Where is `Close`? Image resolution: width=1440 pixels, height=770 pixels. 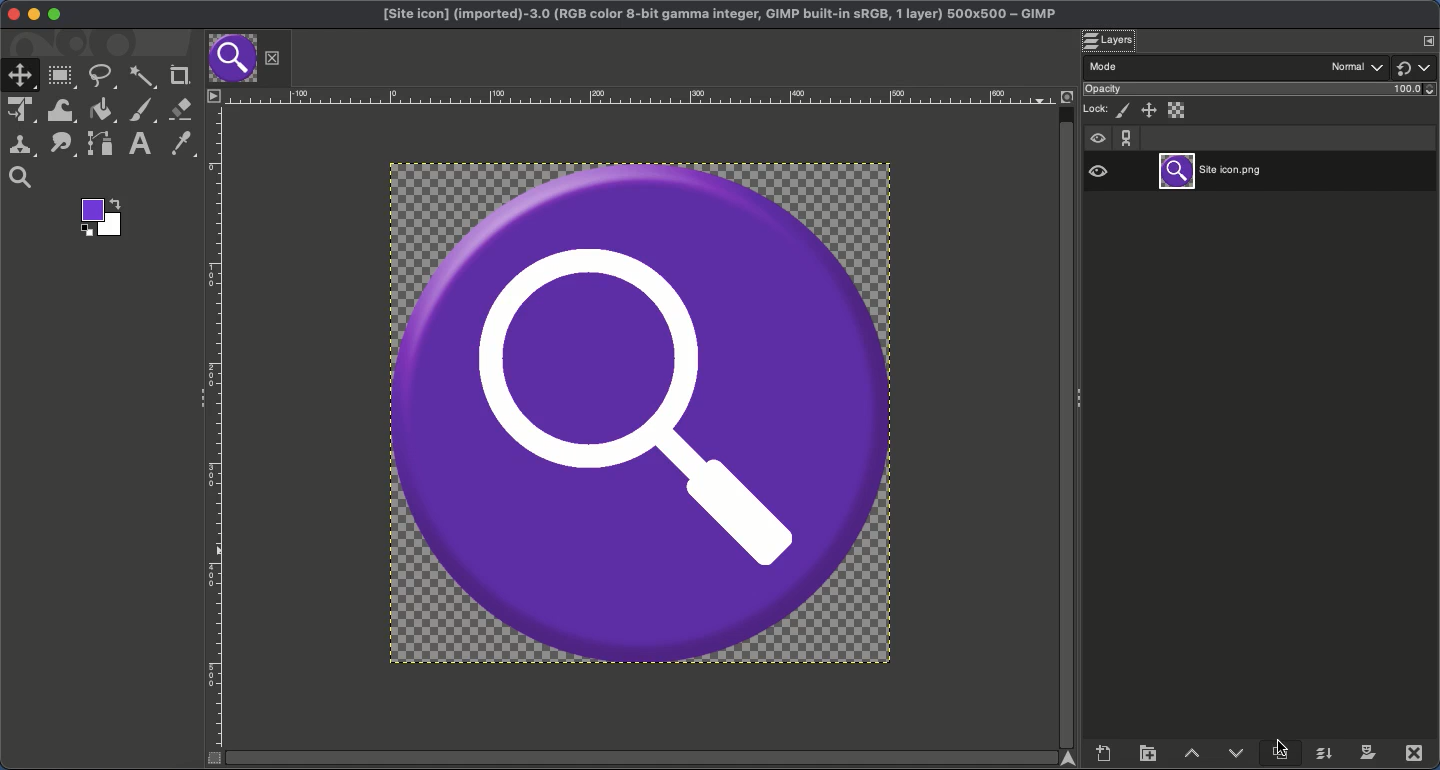
Close is located at coordinates (271, 59).